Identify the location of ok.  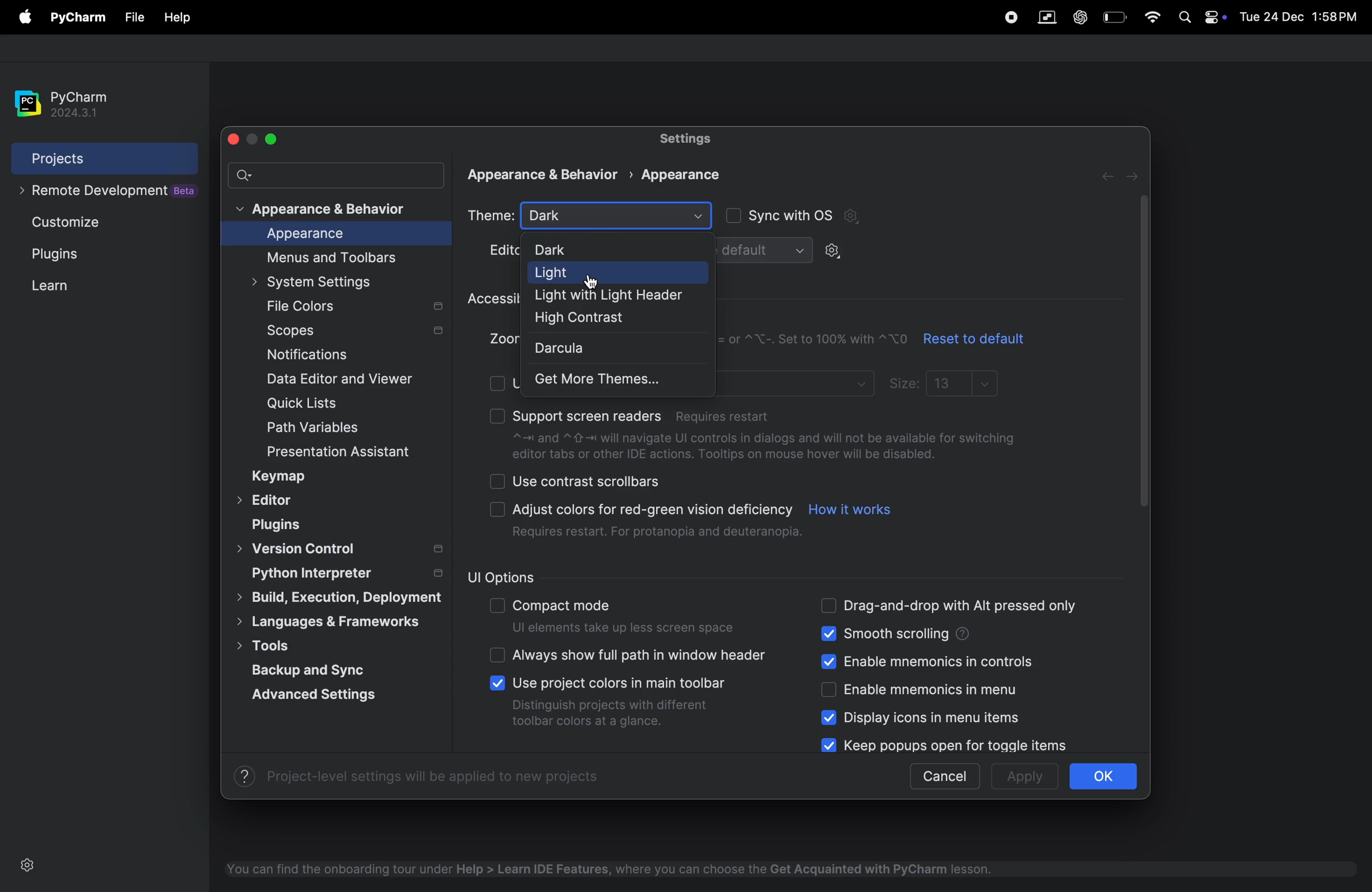
(1103, 777).